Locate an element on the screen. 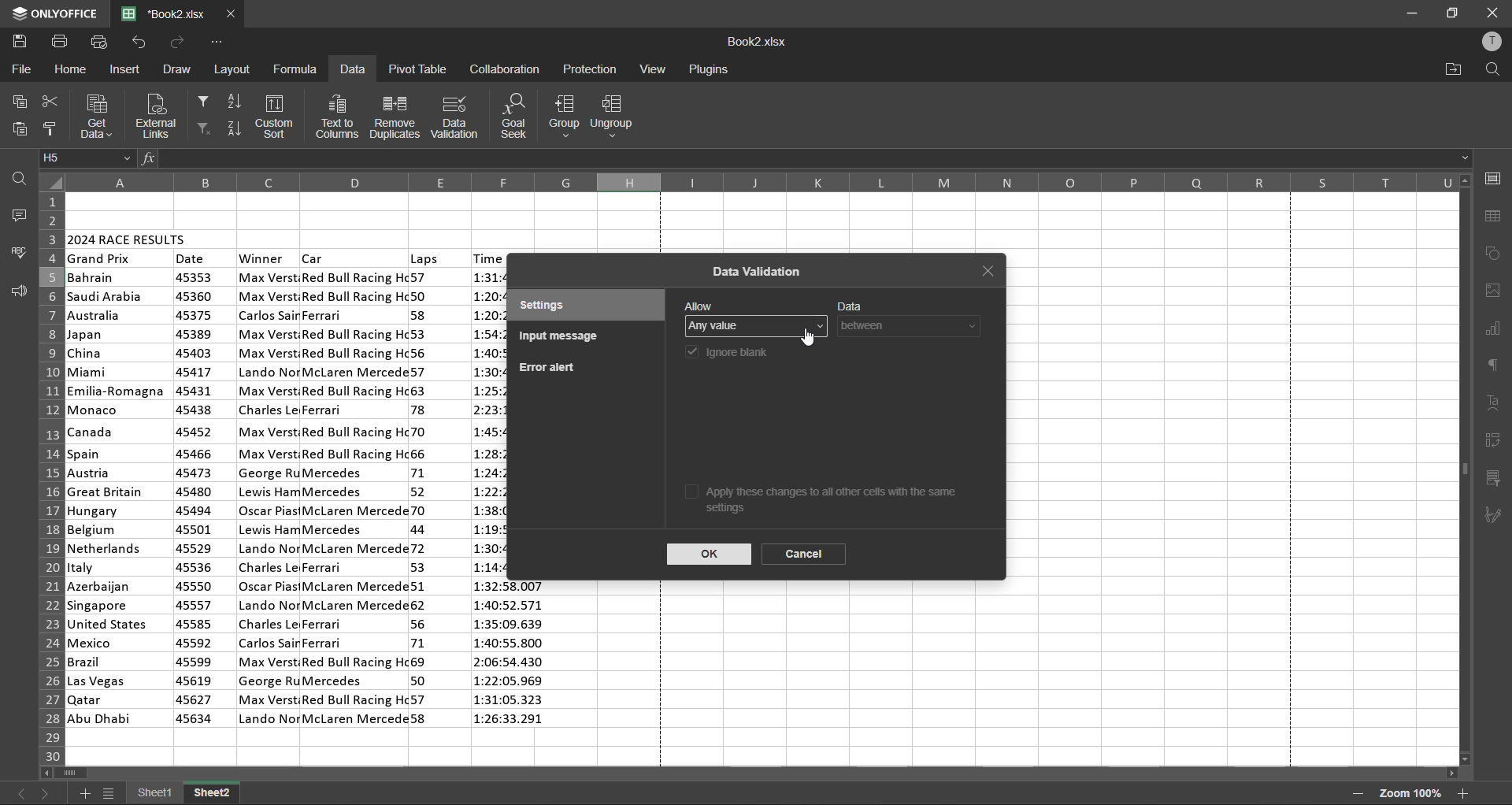 The height and width of the screenshot is (805, 1512). open location is located at coordinates (1454, 69).